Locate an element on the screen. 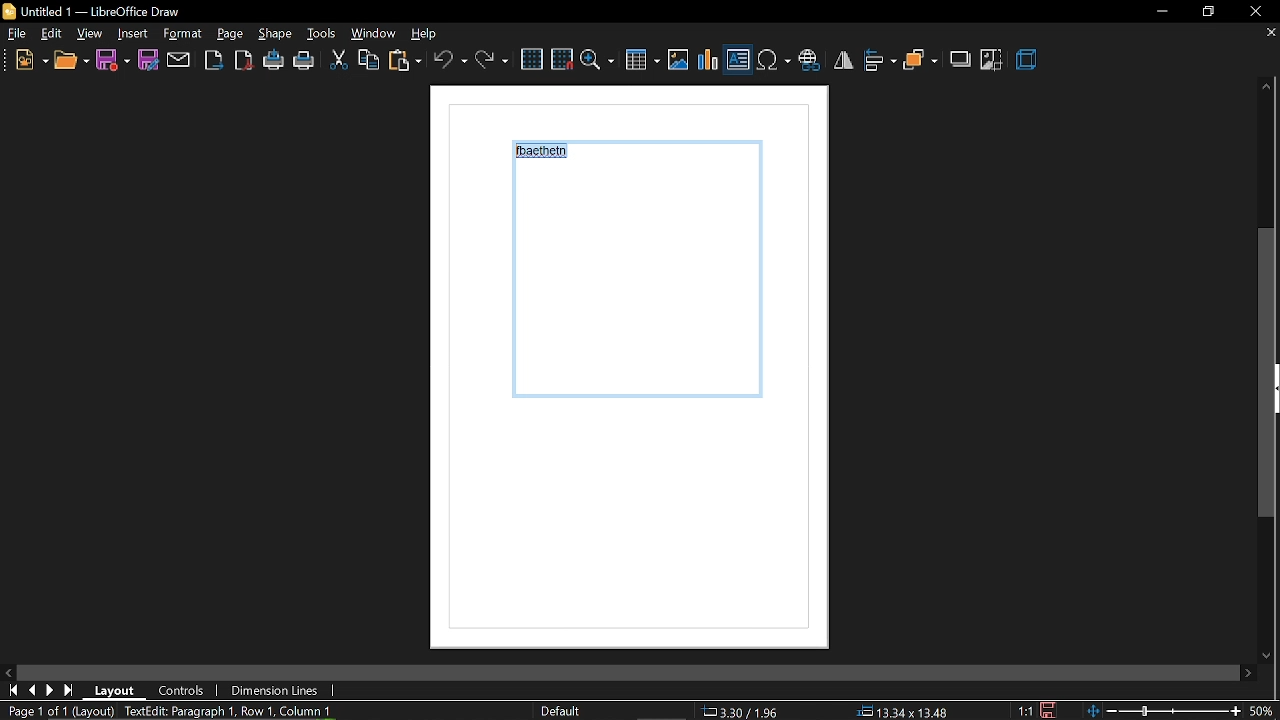 The width and height of the screenshot is (1280, 720). Move down is located at coordinates (1269, 655).